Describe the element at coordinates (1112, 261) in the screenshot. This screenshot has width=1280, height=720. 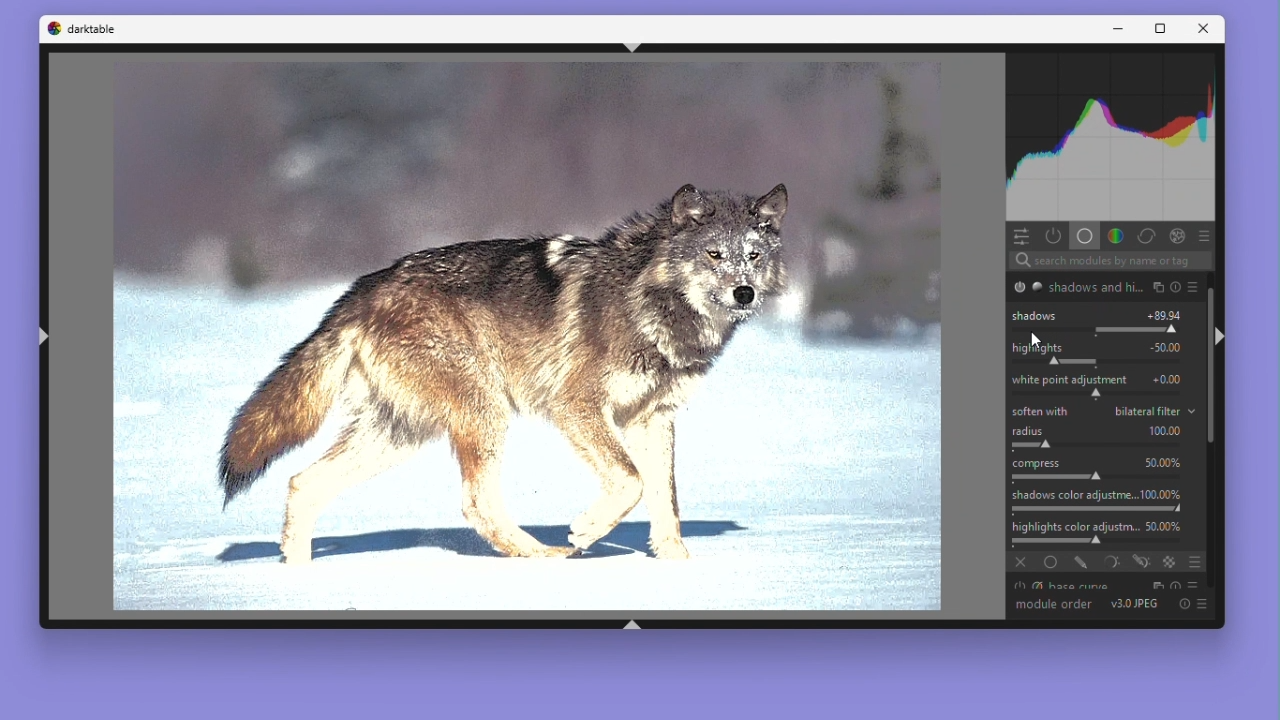
I see `Search bar` at that location.